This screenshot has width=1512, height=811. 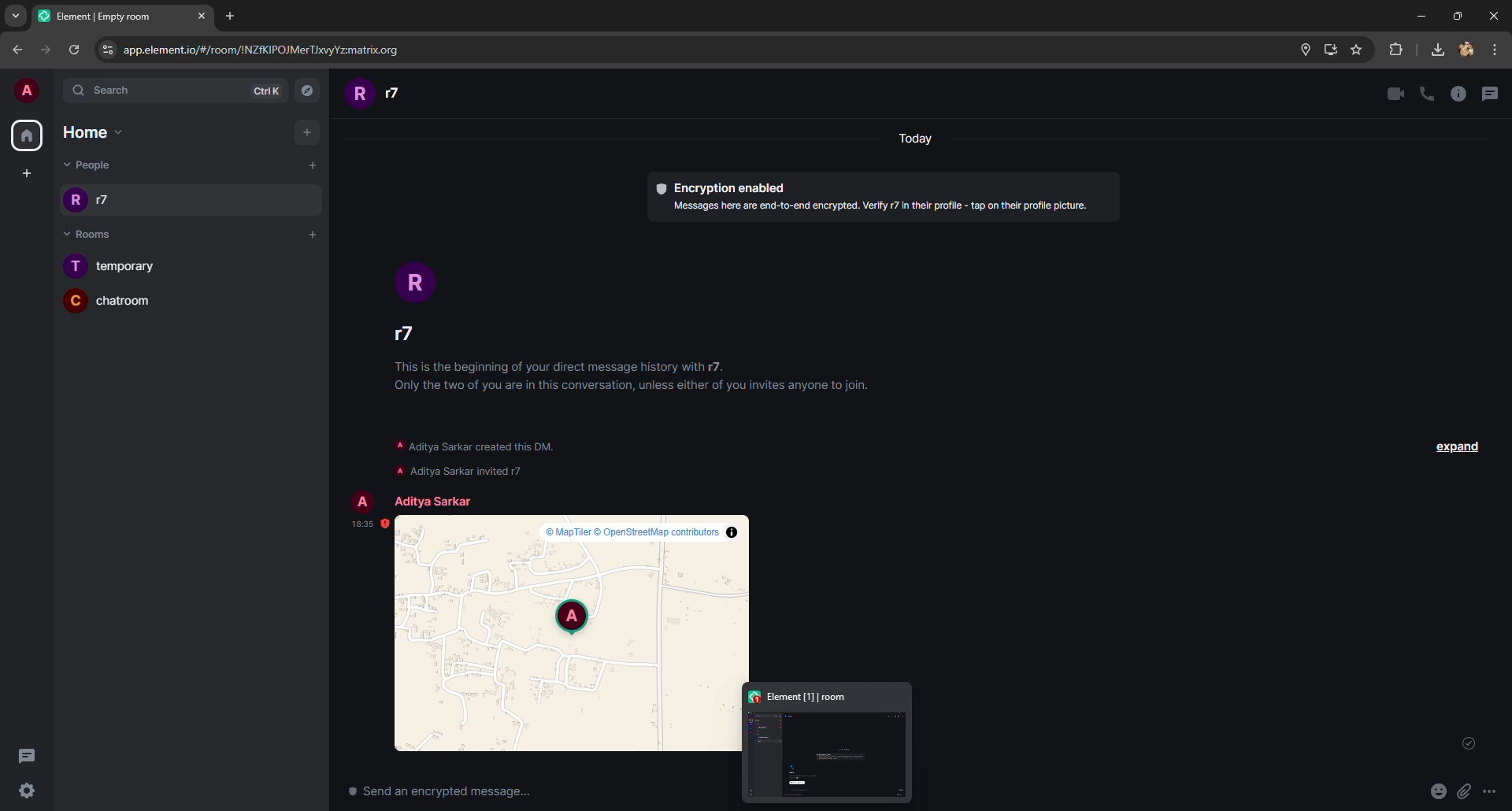 I want to click on close, so click(x=1493, y=14).